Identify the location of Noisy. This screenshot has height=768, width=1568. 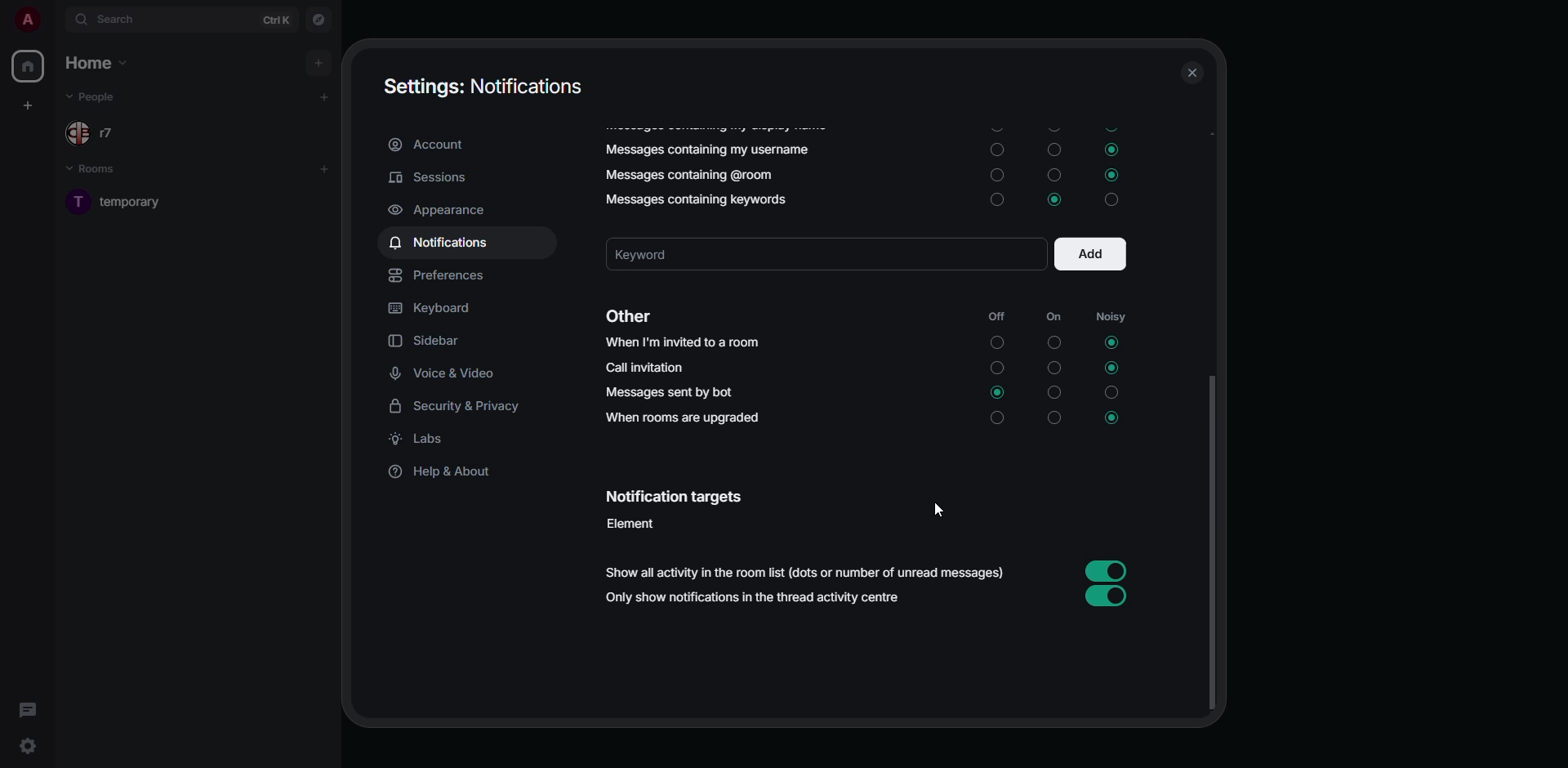
(1111, 125).